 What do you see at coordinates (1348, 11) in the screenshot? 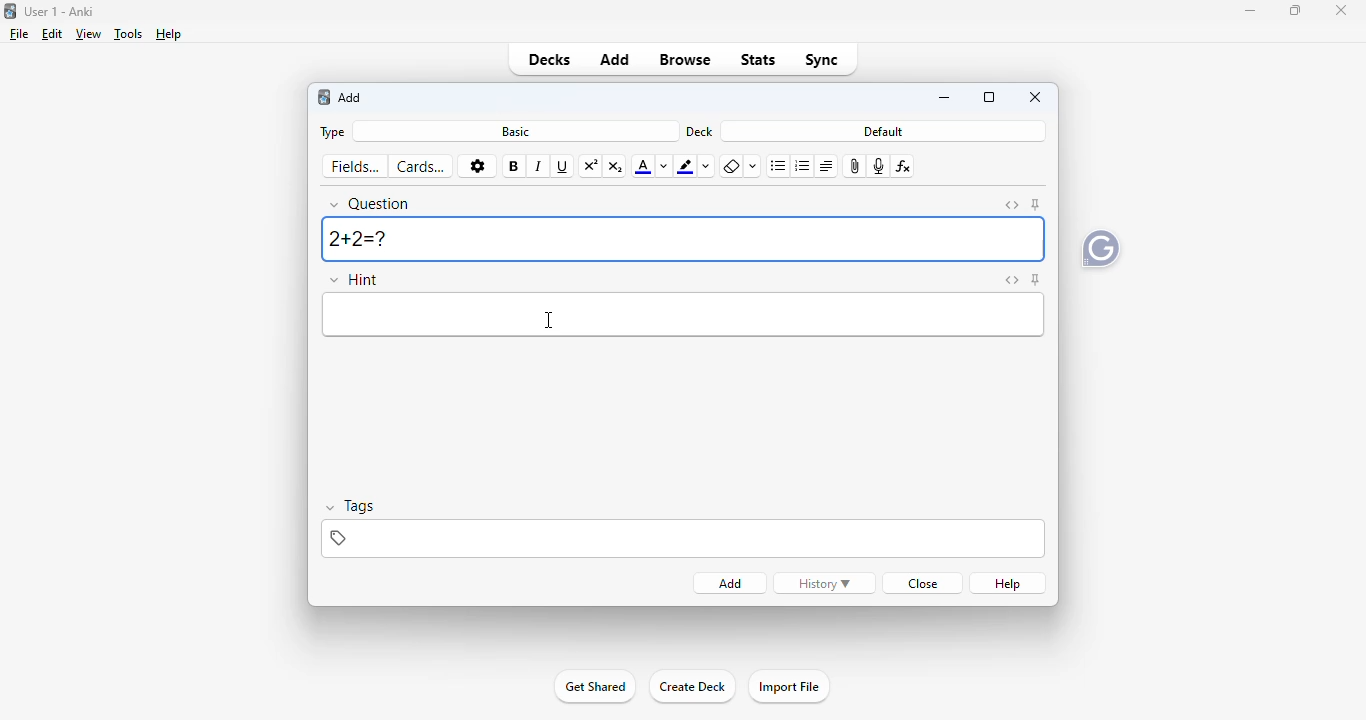
I see `Close` at bounding box center [1348, 11].